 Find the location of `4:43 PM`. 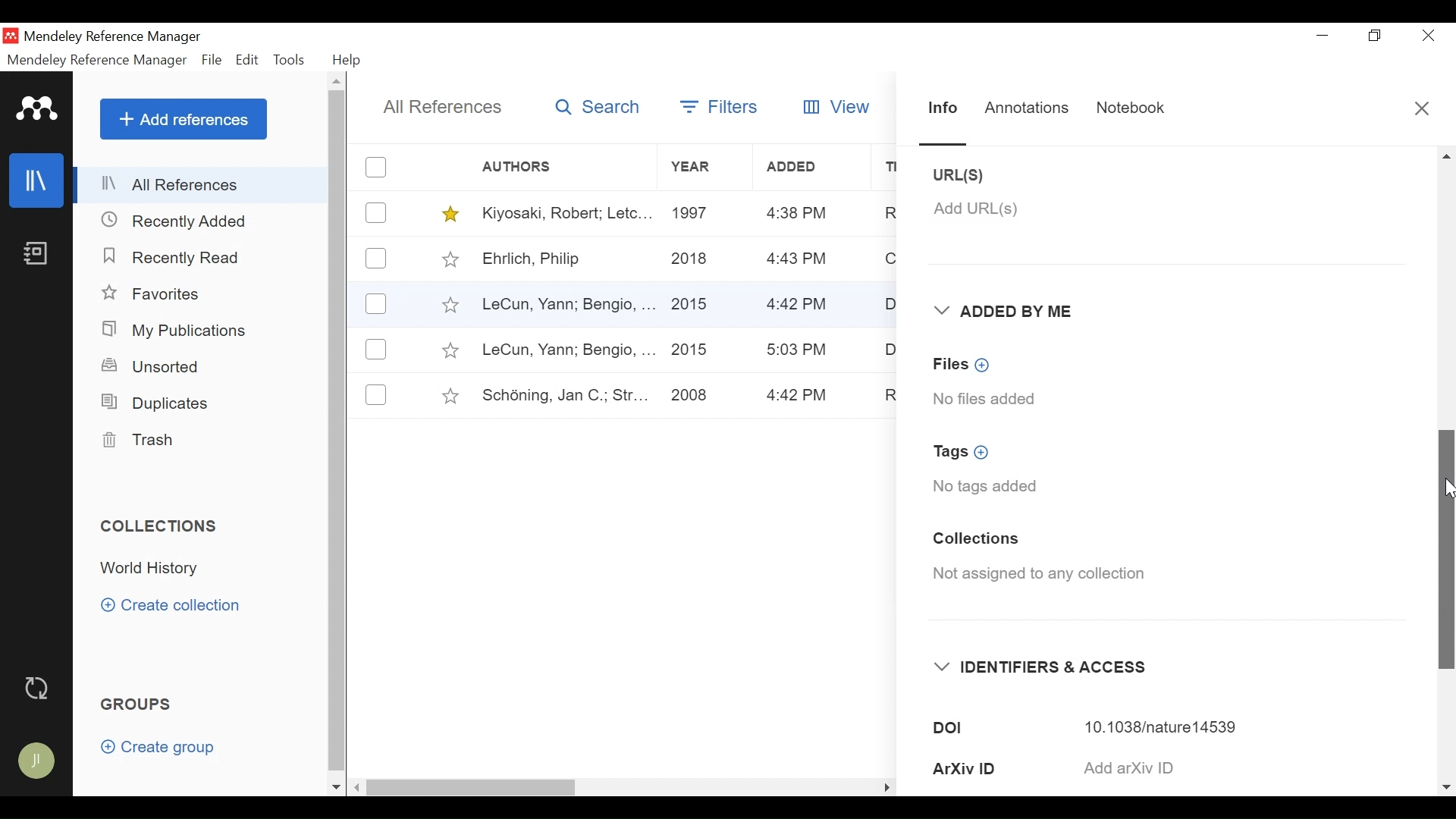

4:43 PM is located at coordinates (798, 259).